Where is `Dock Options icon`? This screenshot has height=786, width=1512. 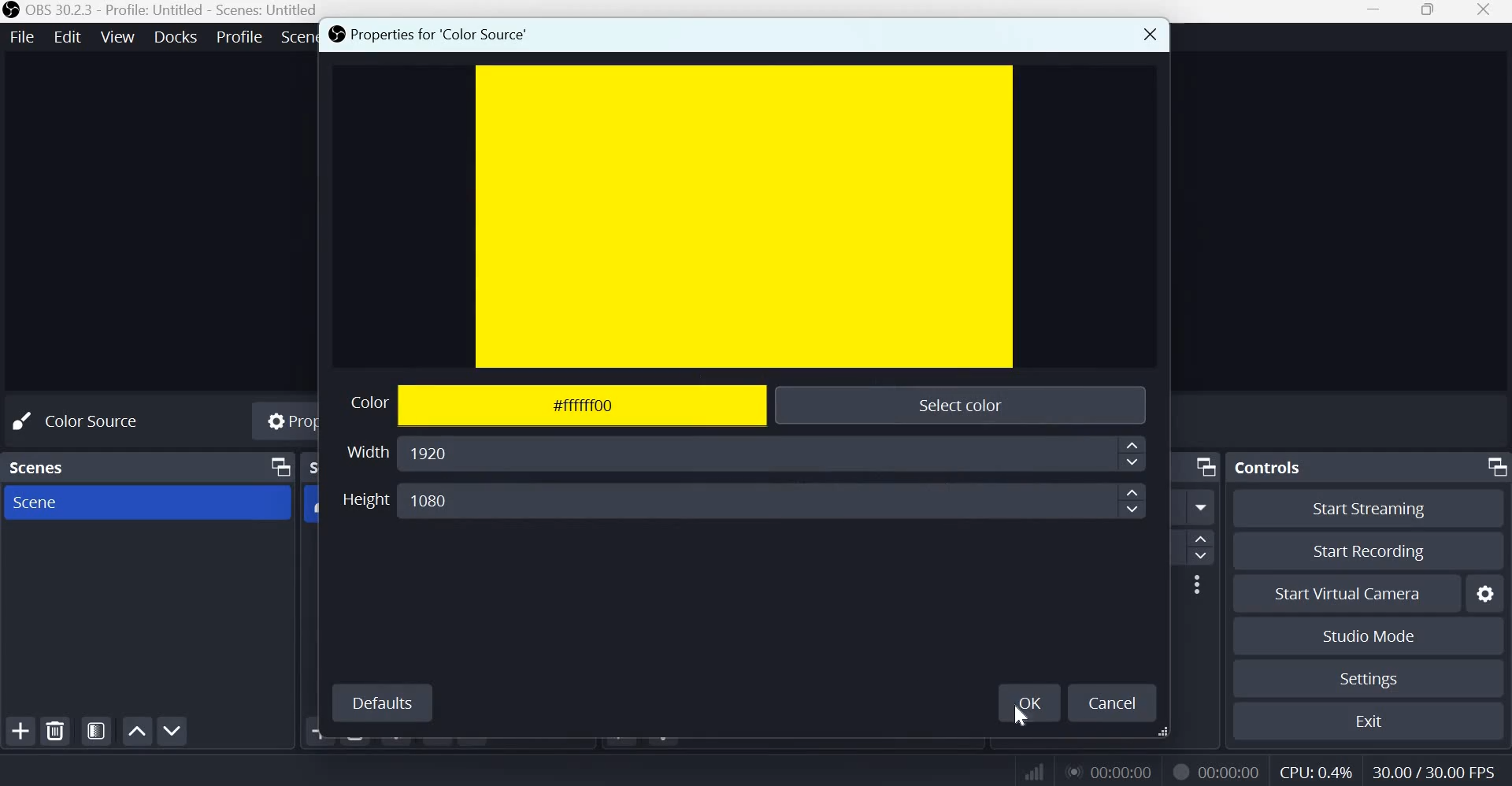 Dock Options icon is located at coordinates (276, 468).